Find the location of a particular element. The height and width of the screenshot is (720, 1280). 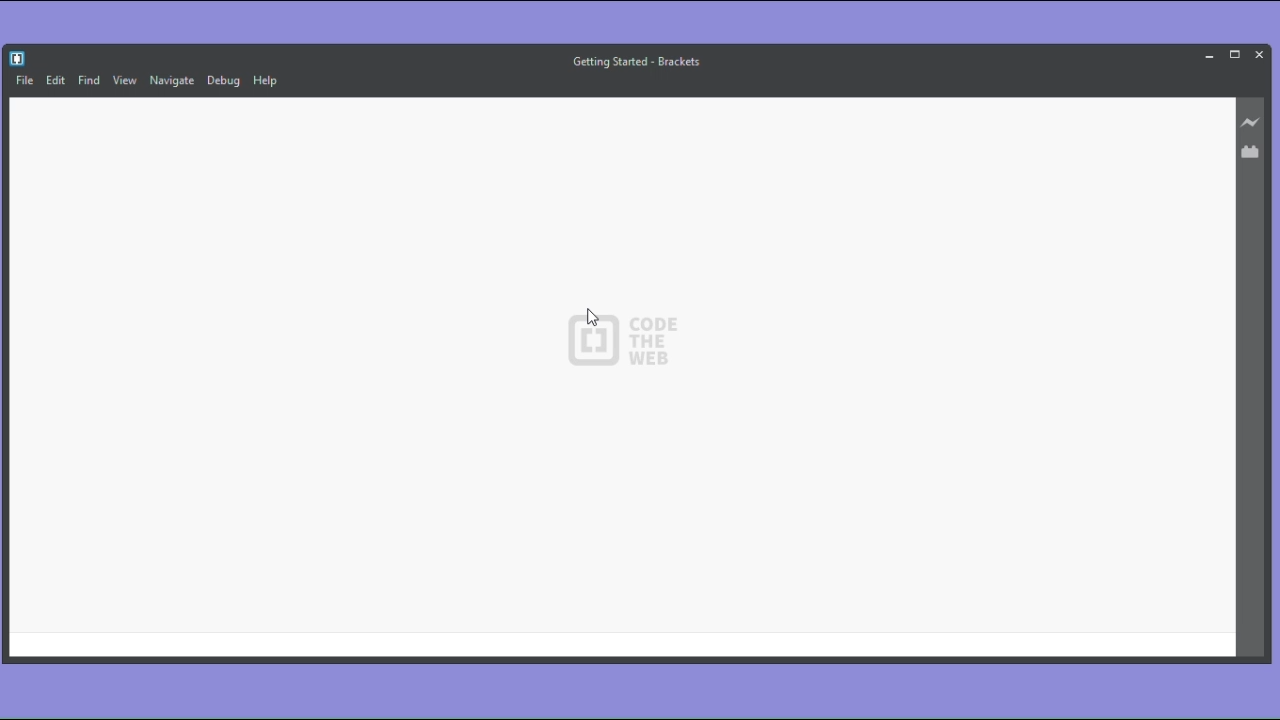

getting started - brackets is located at coordinates (640, 61).